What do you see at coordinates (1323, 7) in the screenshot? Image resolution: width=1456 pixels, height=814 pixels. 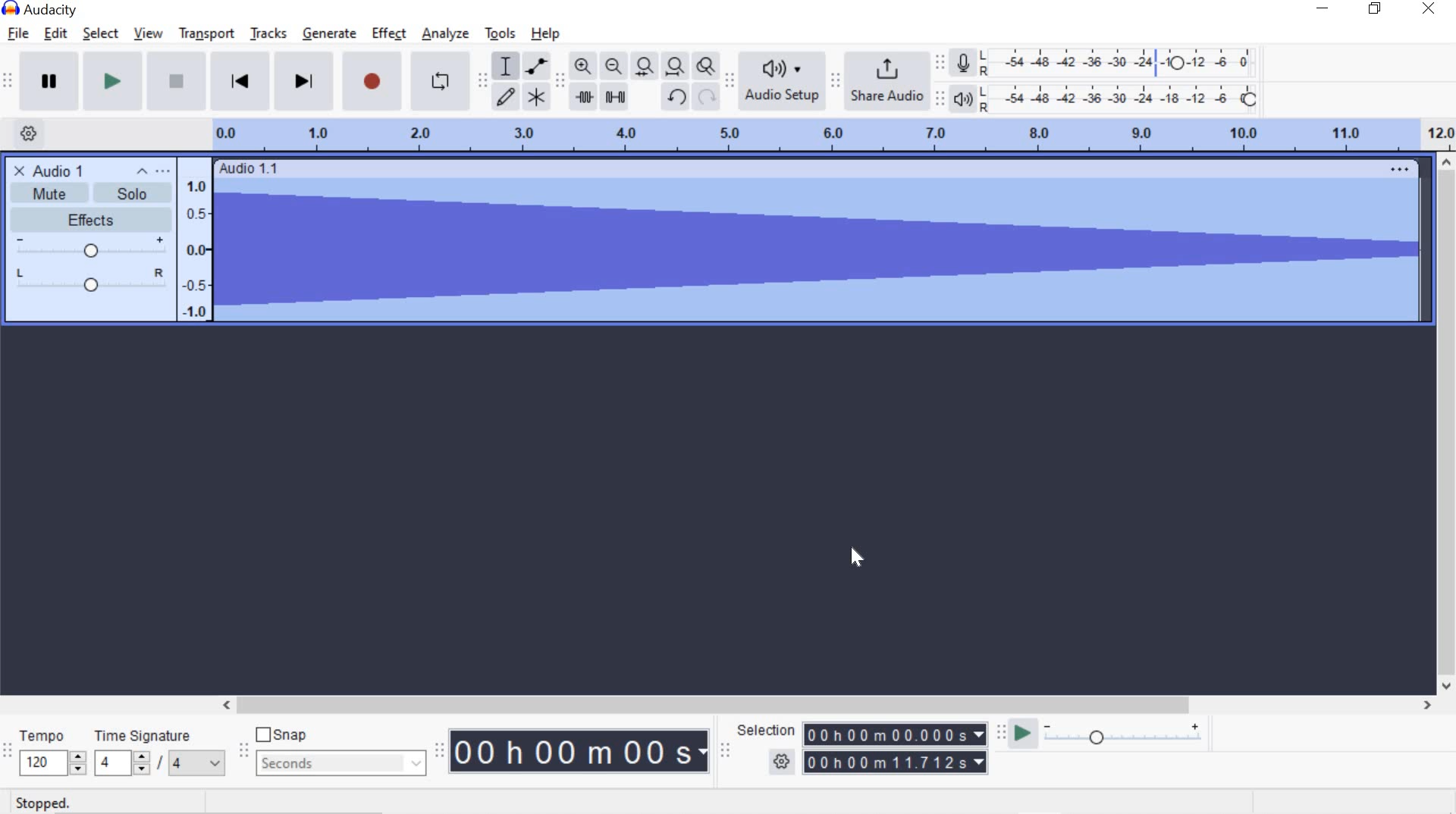 I see `minimize` at bounding box center [1323, 7].